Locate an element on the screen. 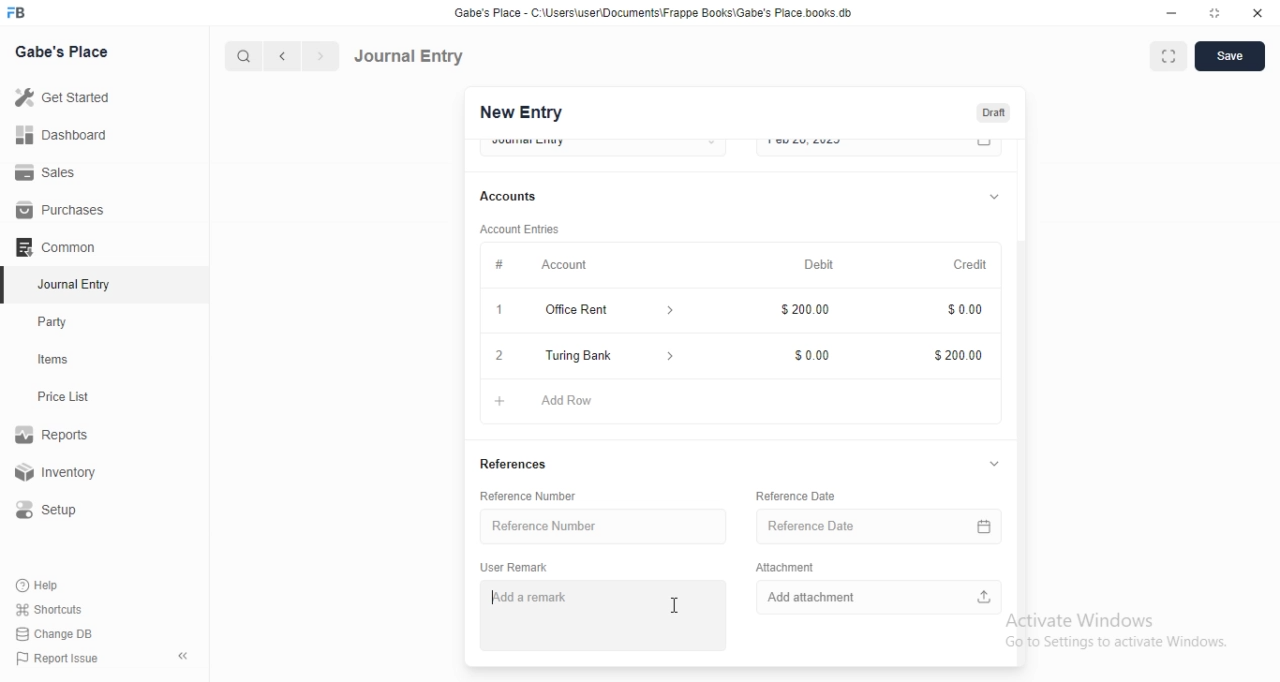  Reference Date is located at coordinates (873, 527).